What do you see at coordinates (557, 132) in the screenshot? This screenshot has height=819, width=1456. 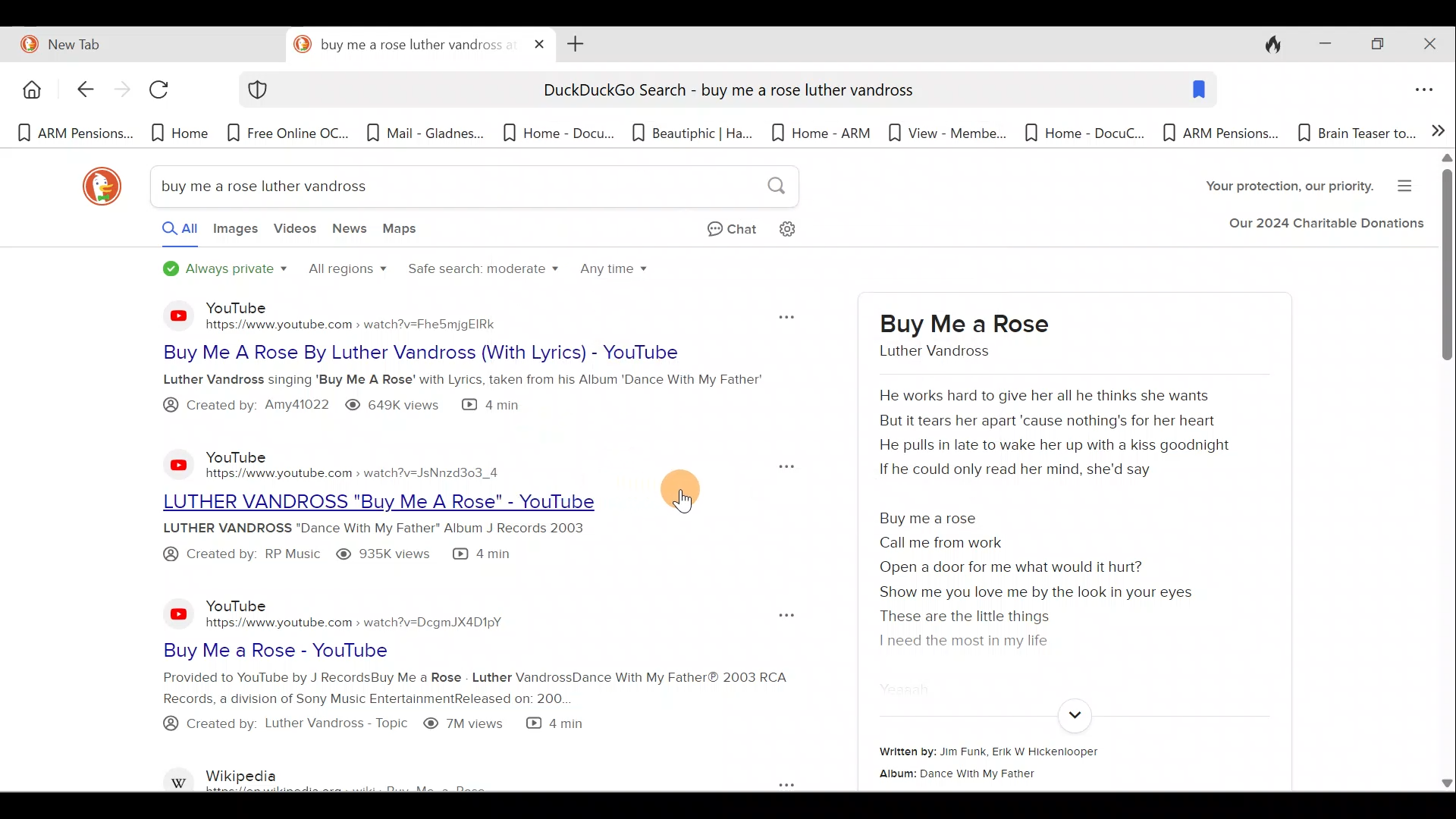 I see `Bookmark 5` at bounding box center [557, 132].